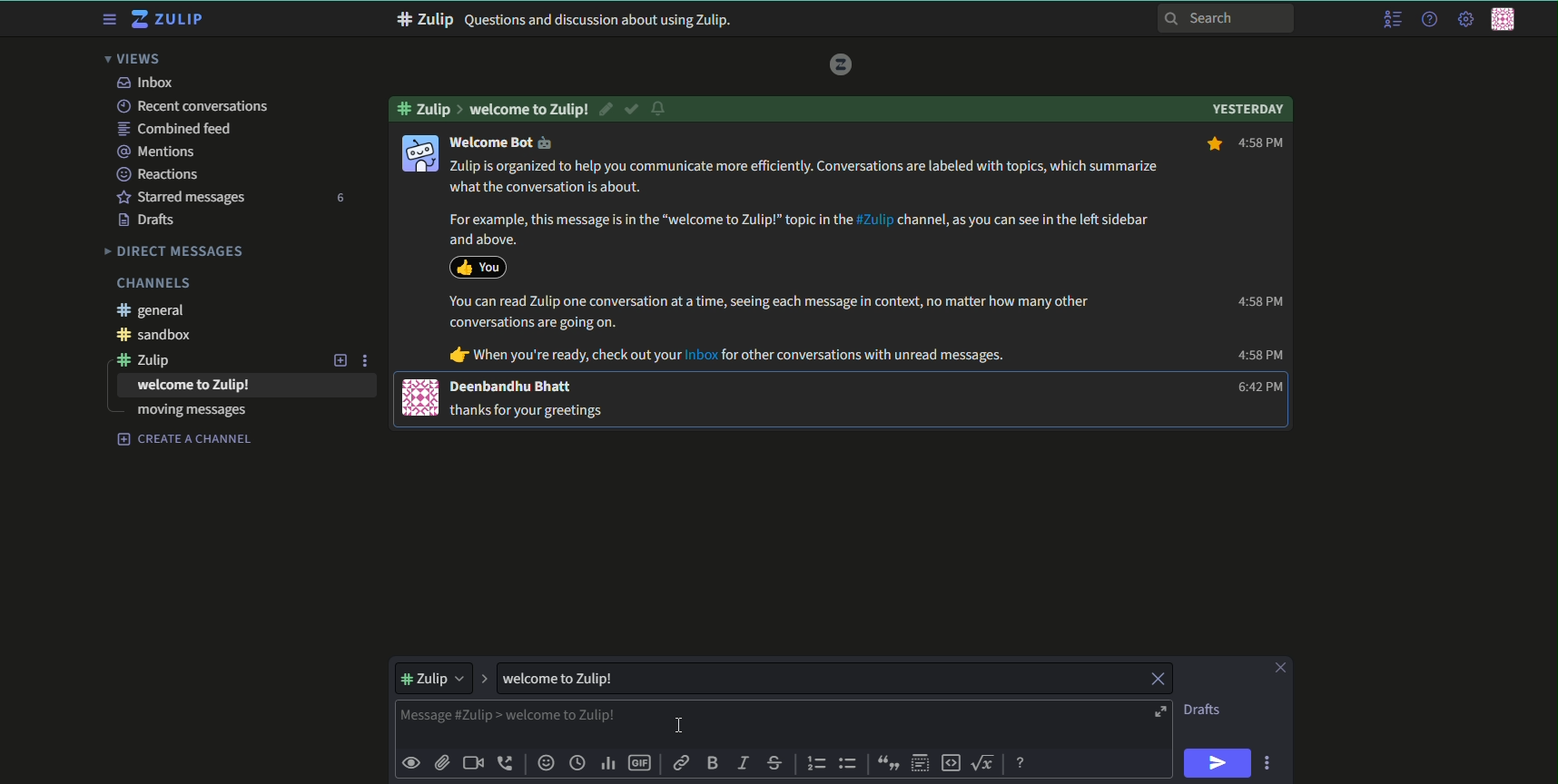 The height and width of the screenshot is (784, 1558). Describe the element at coordinates (159, 151) in the screenshot. I see `mentions` at that location.